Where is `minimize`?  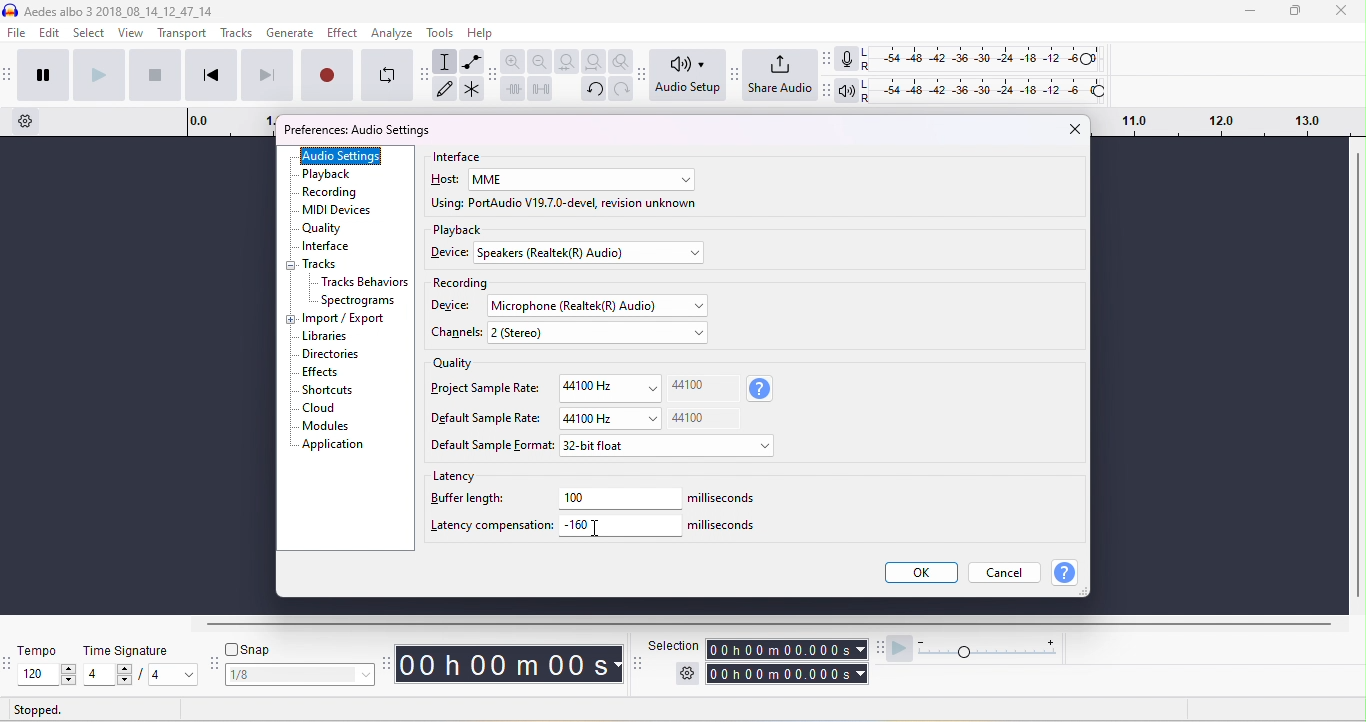 minimize is located at coordinates (1247, 12).